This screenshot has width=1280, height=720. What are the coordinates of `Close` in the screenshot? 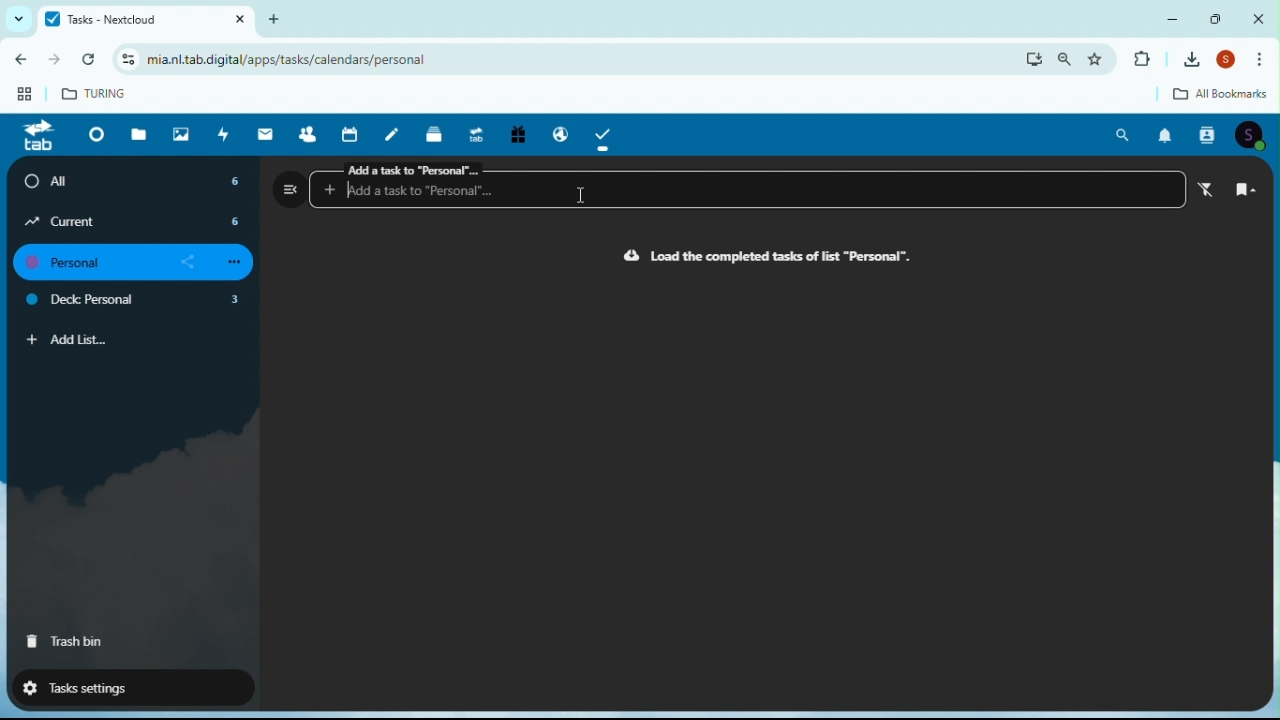 It's located at (1258, 18).